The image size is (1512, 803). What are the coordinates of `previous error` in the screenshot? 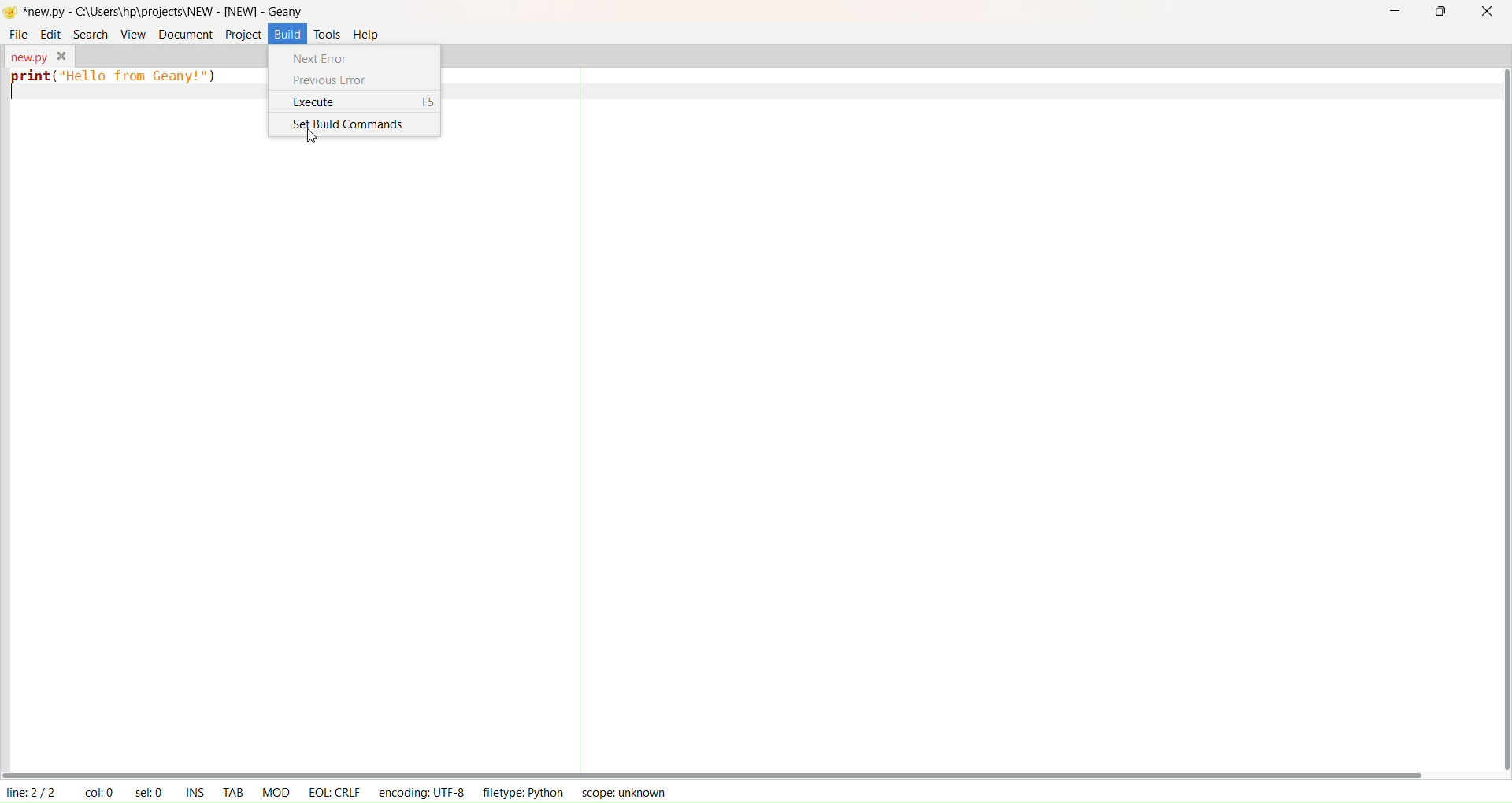 It's located at (332, 82).